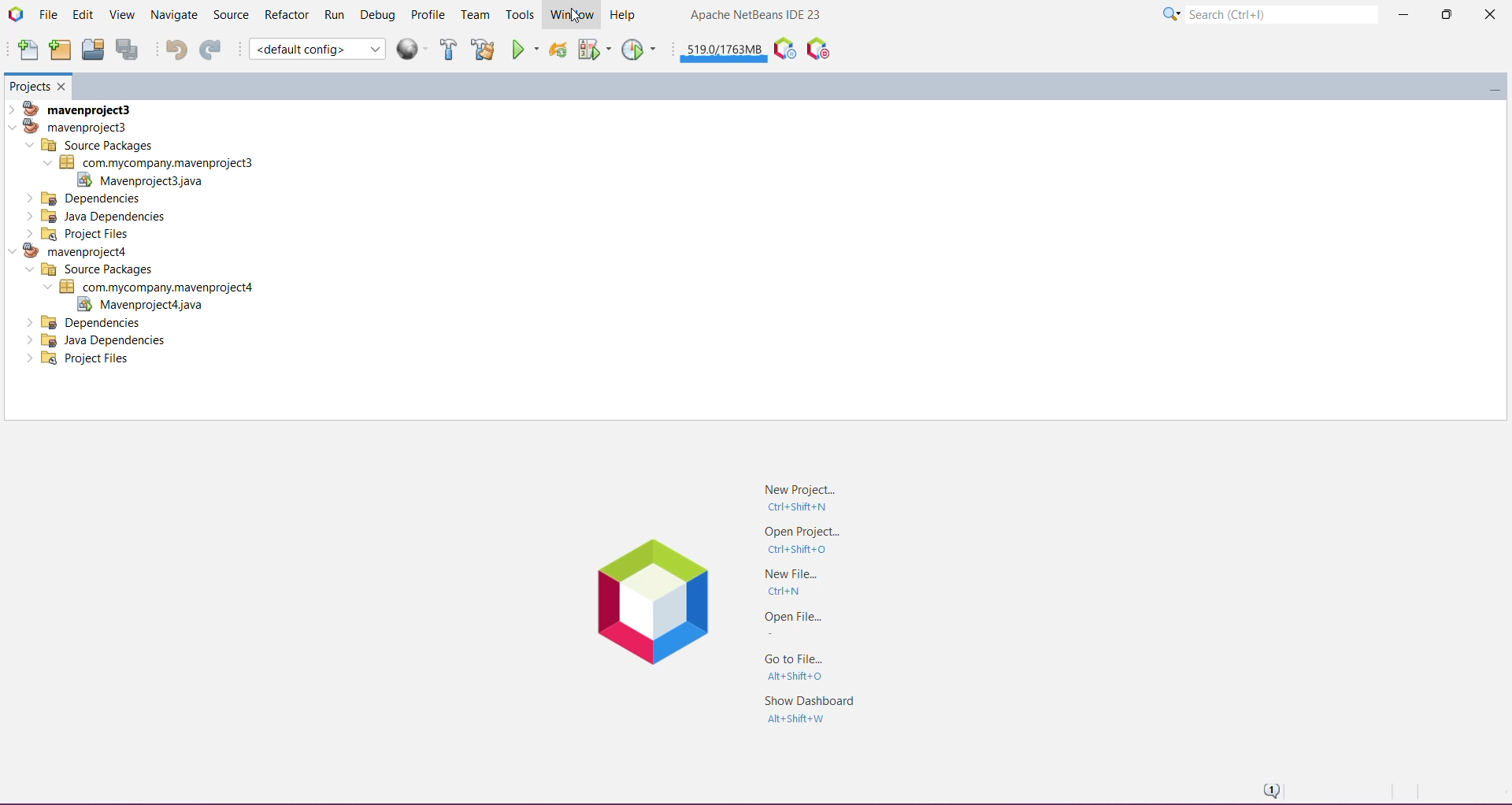 The height and width of the screenshot is (805, 1512). What do you see at coordinates (1171, 15) in the screenshot?
I see `Click or Press Ctrl+F10 for Category Selection` at bounding box center [1171, 15].